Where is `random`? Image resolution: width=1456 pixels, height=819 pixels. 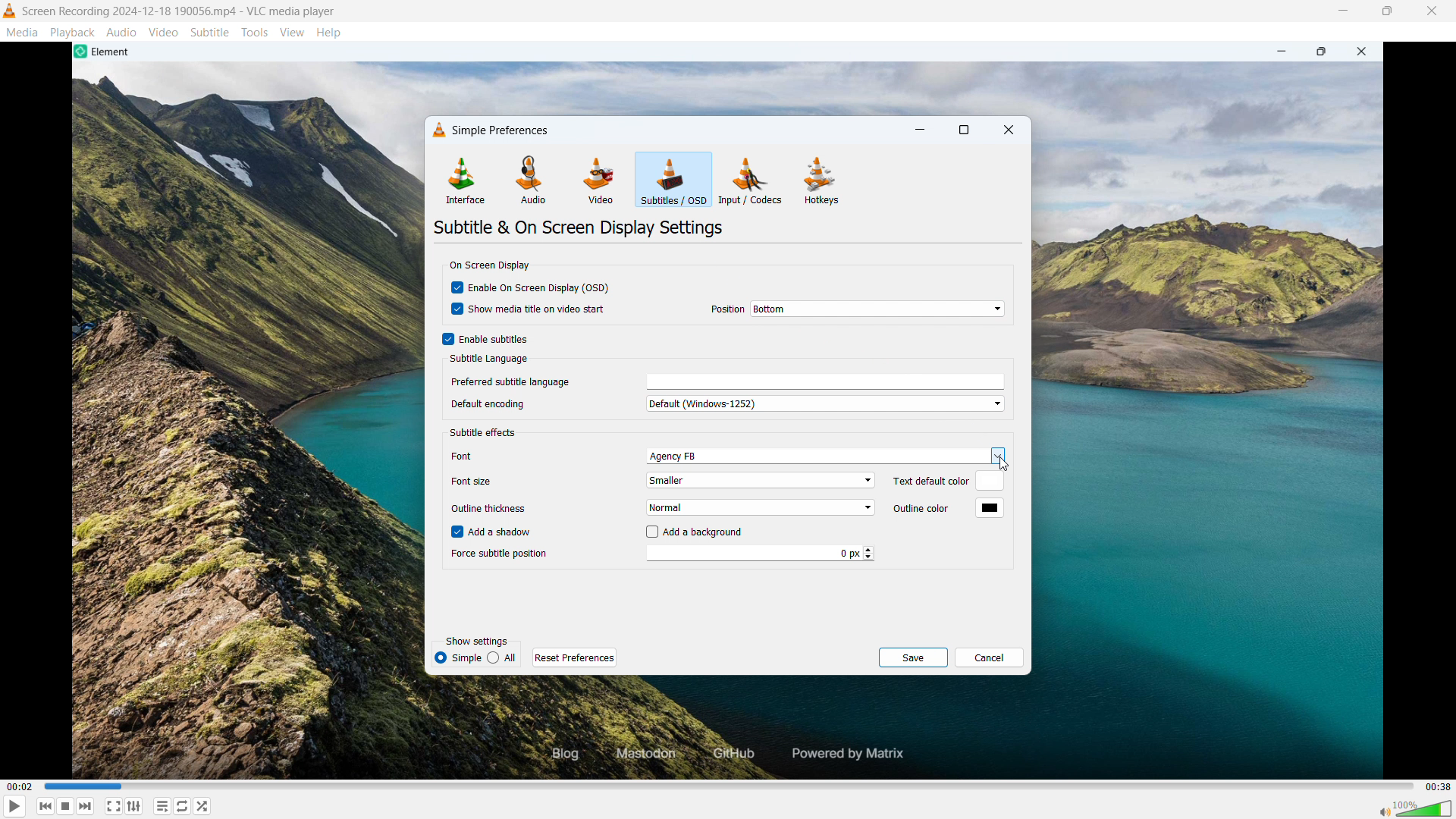
random is located at coordinates (202, 806).